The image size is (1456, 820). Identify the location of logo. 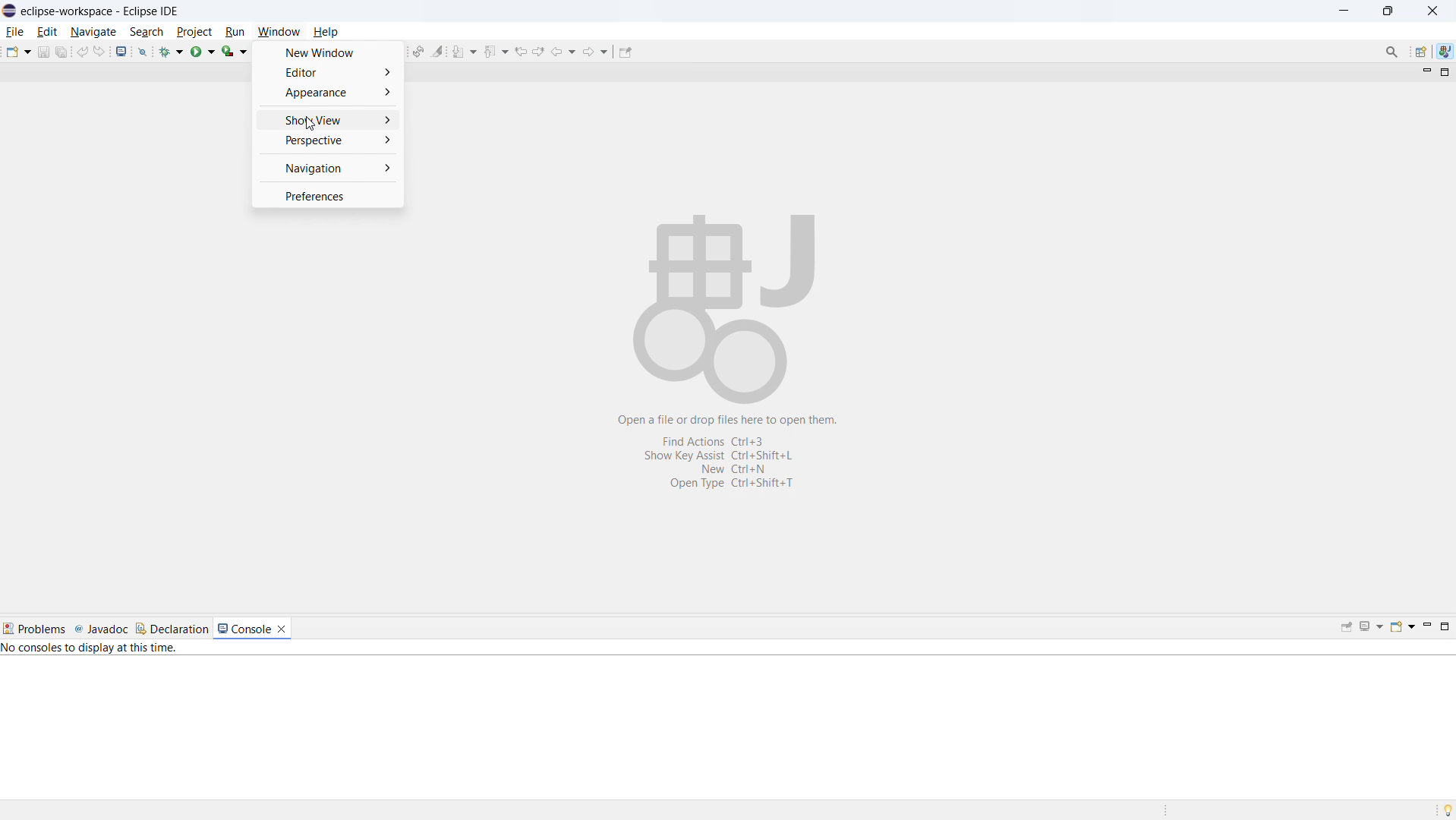
(9, 11).